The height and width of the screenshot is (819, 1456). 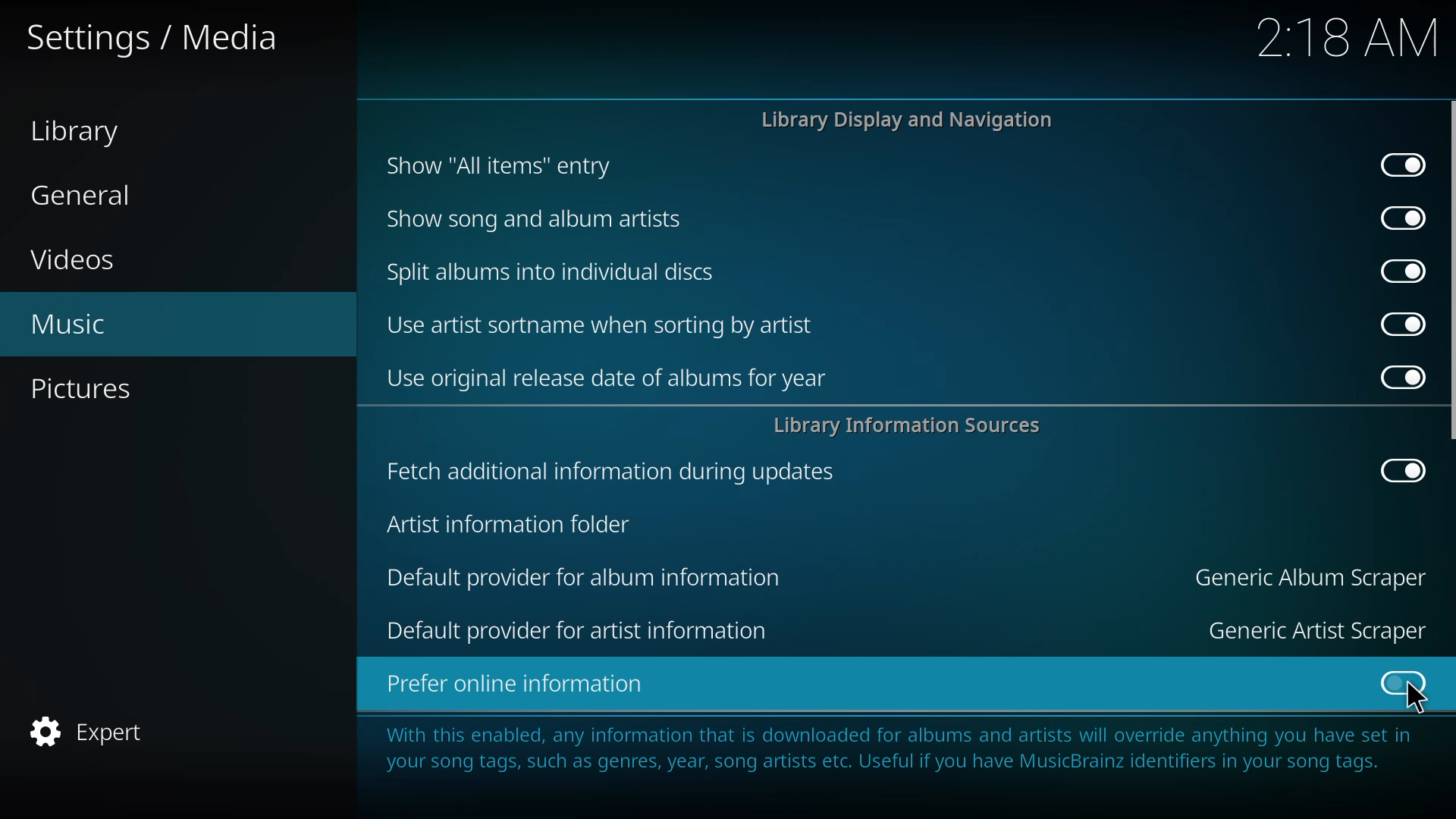 What do you see at coordinates (80, 262) in the screenshot?
I see `videos` at bounding box center [80, 262].